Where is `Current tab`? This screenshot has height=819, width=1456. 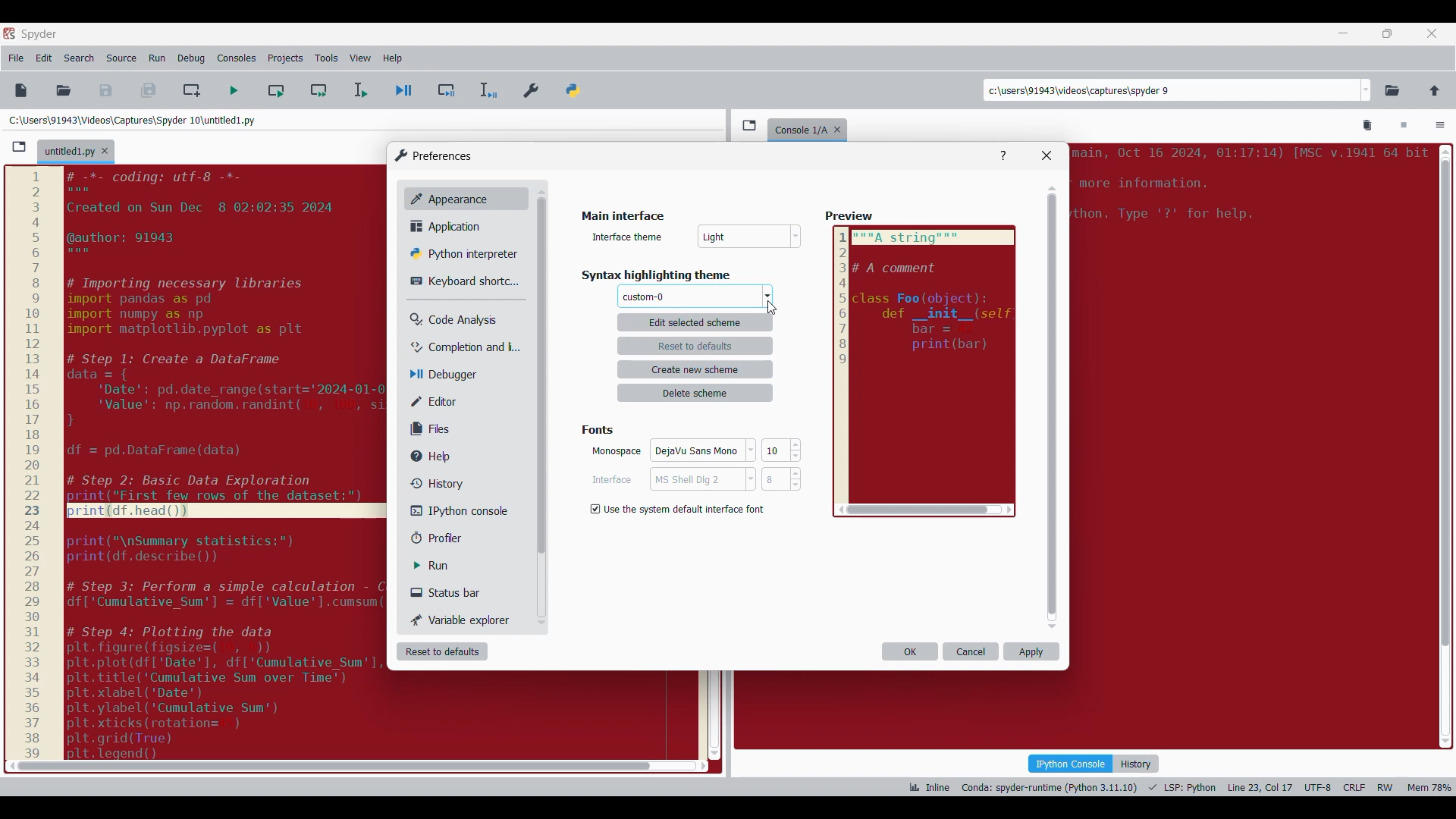
Current tab is located at coordinates (69, 152).